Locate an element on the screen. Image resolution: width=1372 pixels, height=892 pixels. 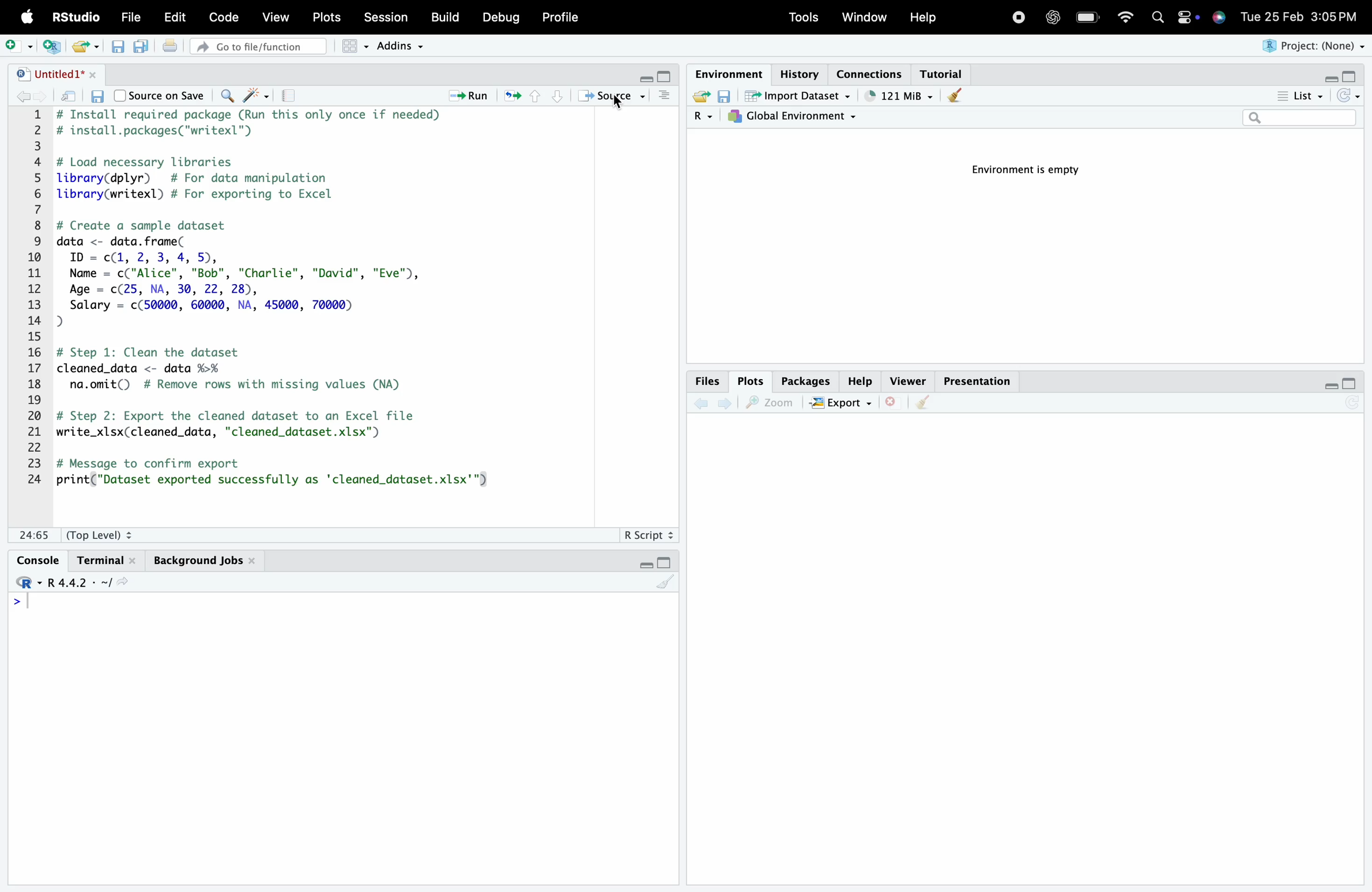
RStudio is located at coordinates (76, 16).